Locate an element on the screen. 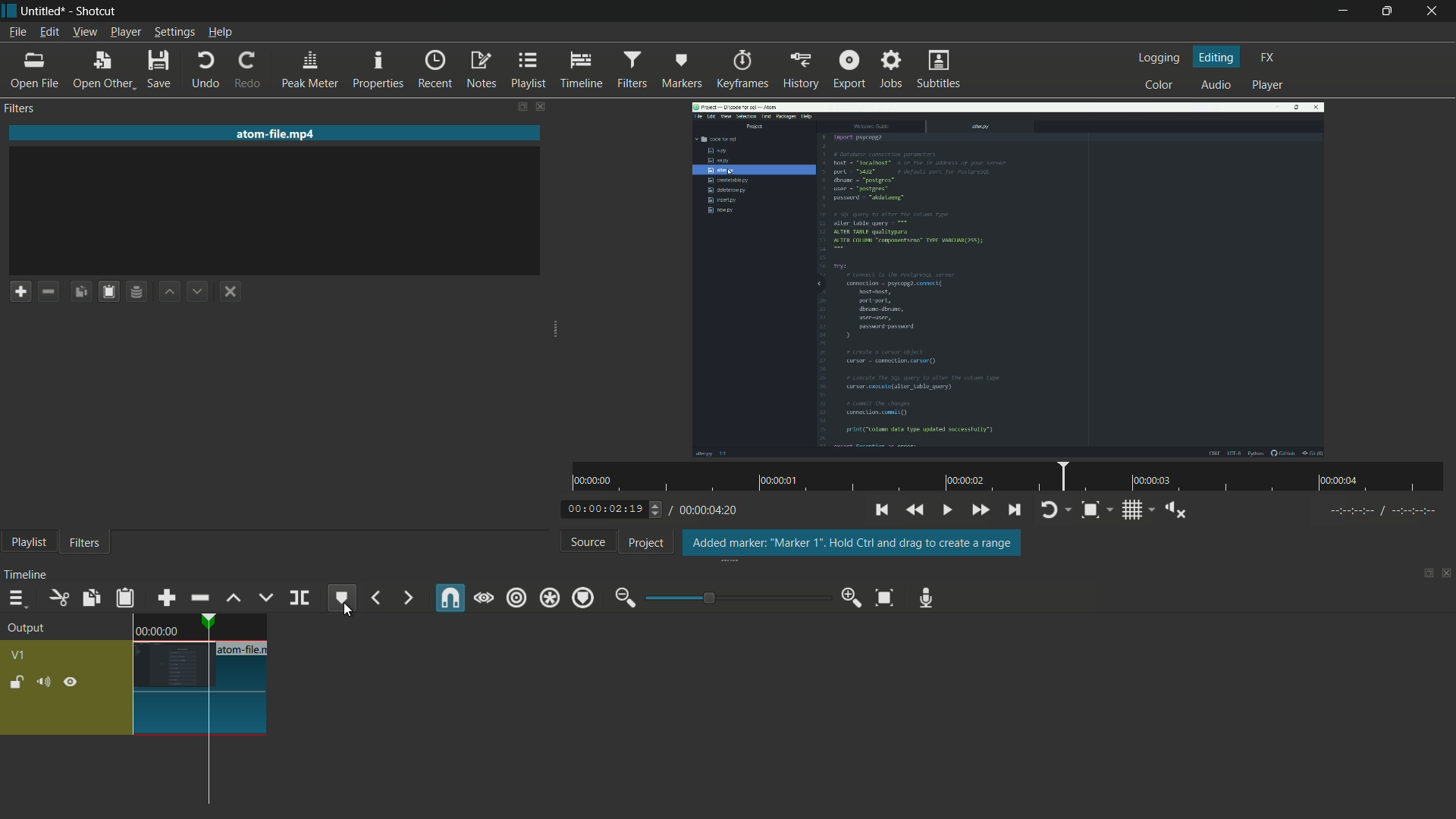 The image size is (1456, 819). paste filters is located at coordinates (80, 291).